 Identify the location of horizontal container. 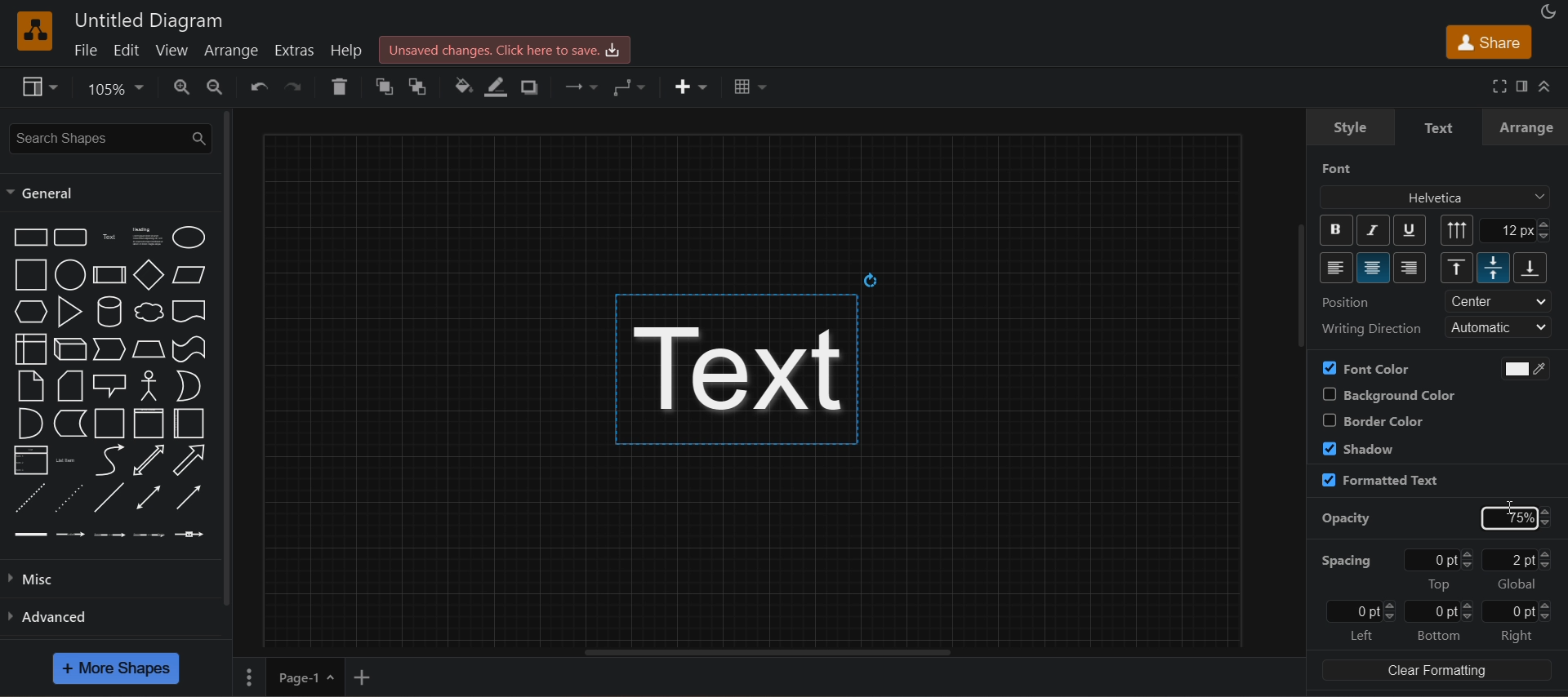
(190, 424).